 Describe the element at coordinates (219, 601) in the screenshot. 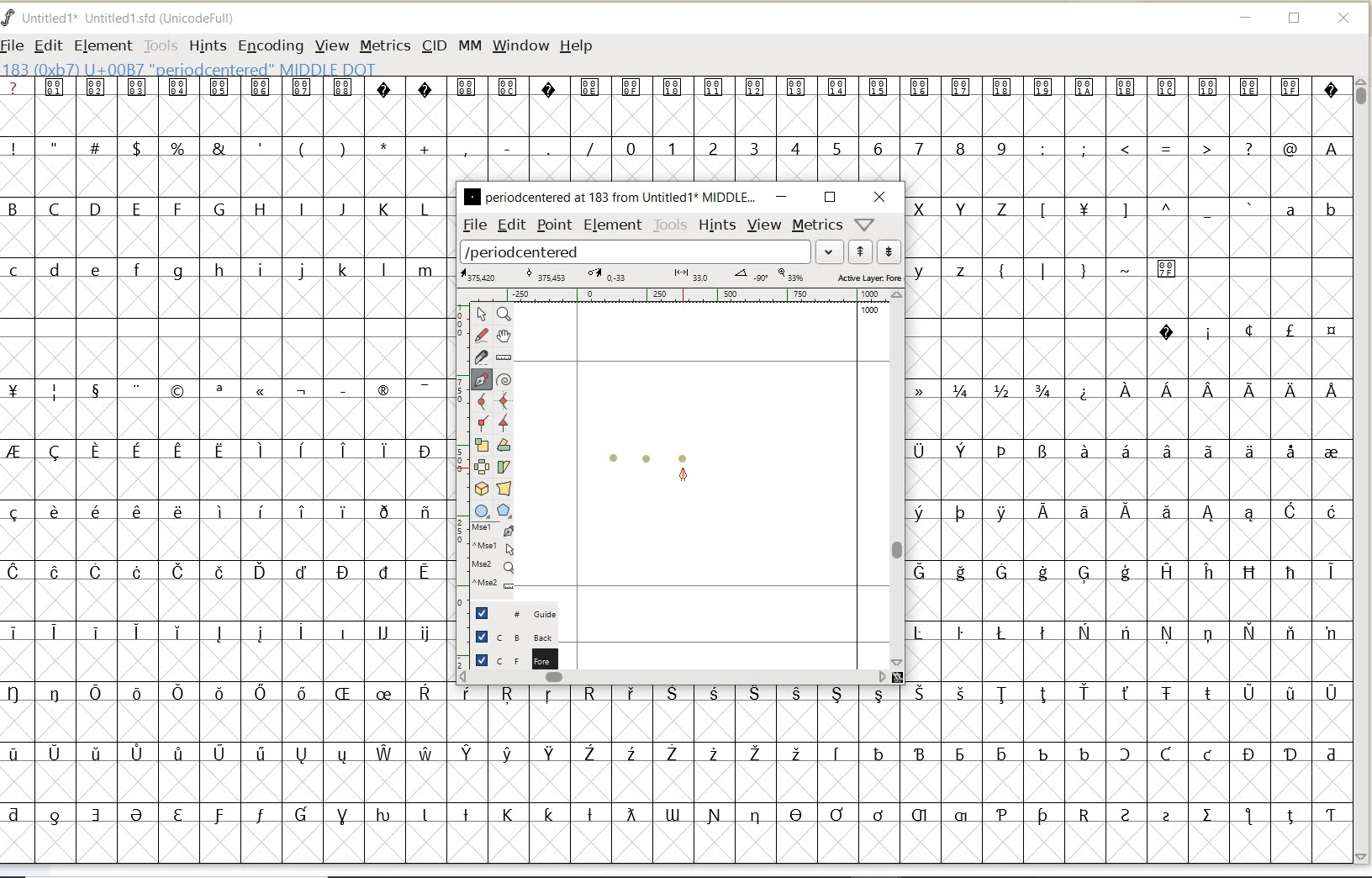

I see `special characters` at that location.